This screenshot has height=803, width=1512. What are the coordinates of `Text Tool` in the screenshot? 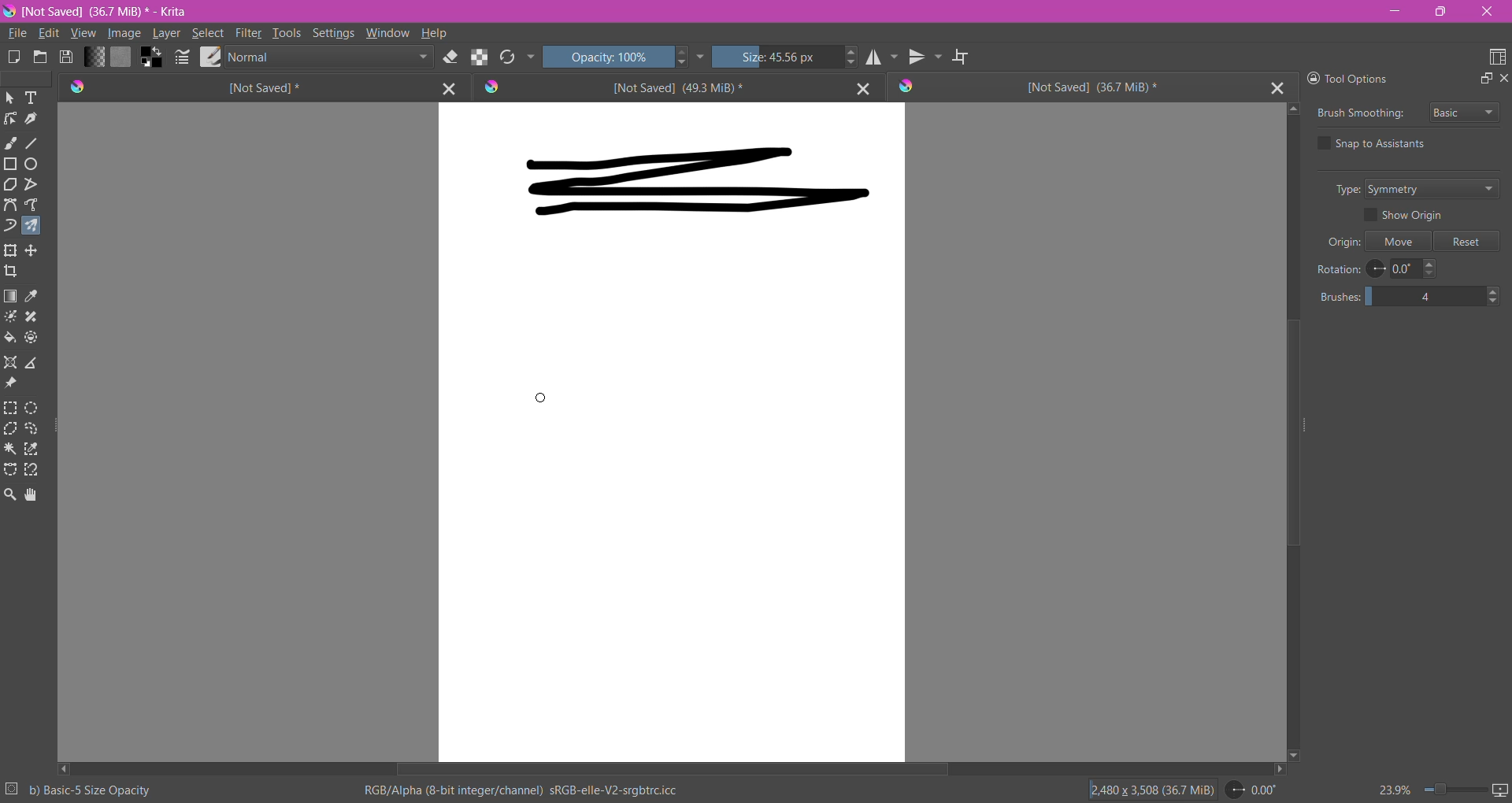 It's located at (31, 98).